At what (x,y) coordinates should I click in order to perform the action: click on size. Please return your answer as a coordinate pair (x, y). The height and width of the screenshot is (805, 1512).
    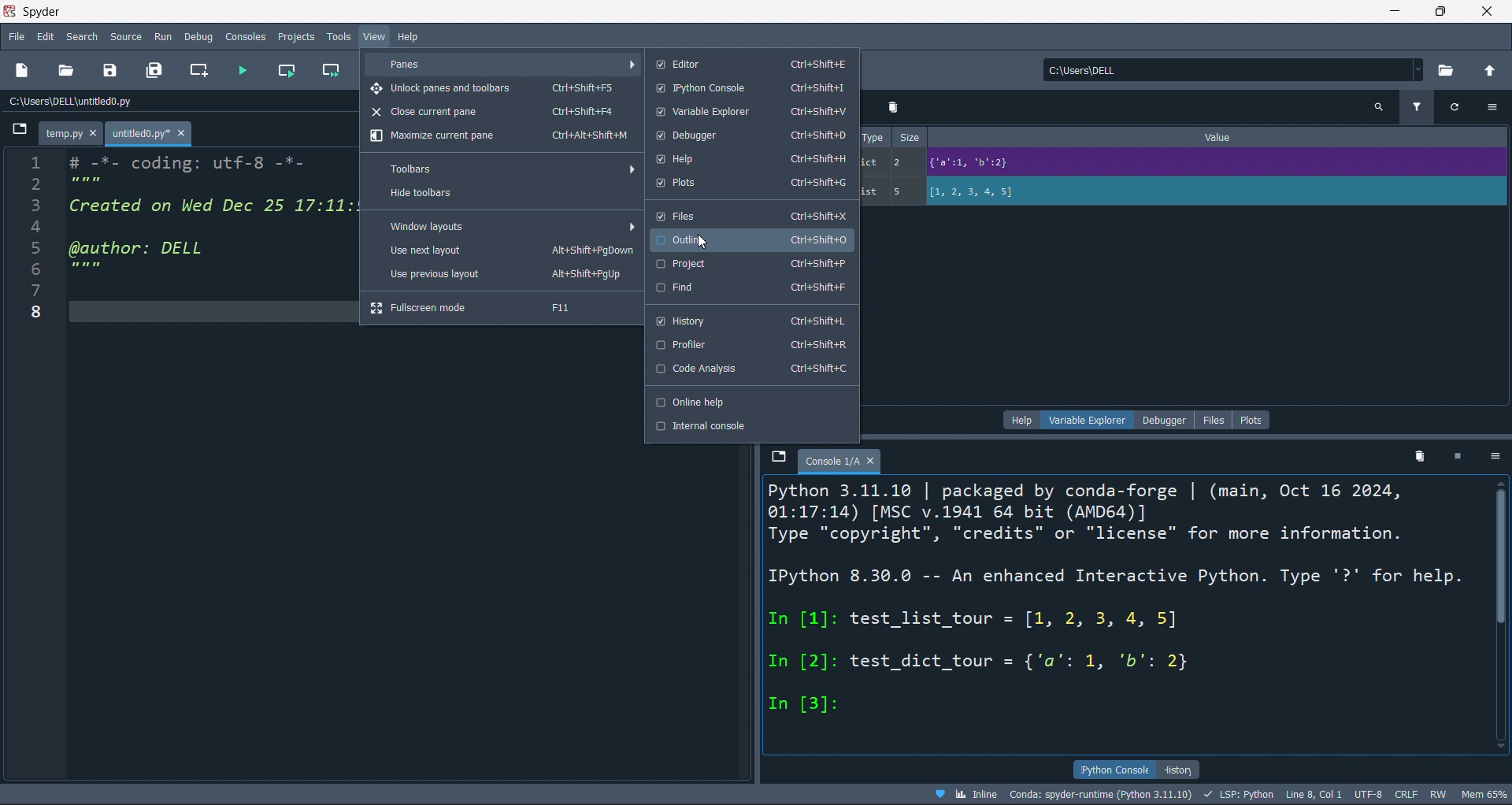
    Looking at the image, I should click on (909, 138).